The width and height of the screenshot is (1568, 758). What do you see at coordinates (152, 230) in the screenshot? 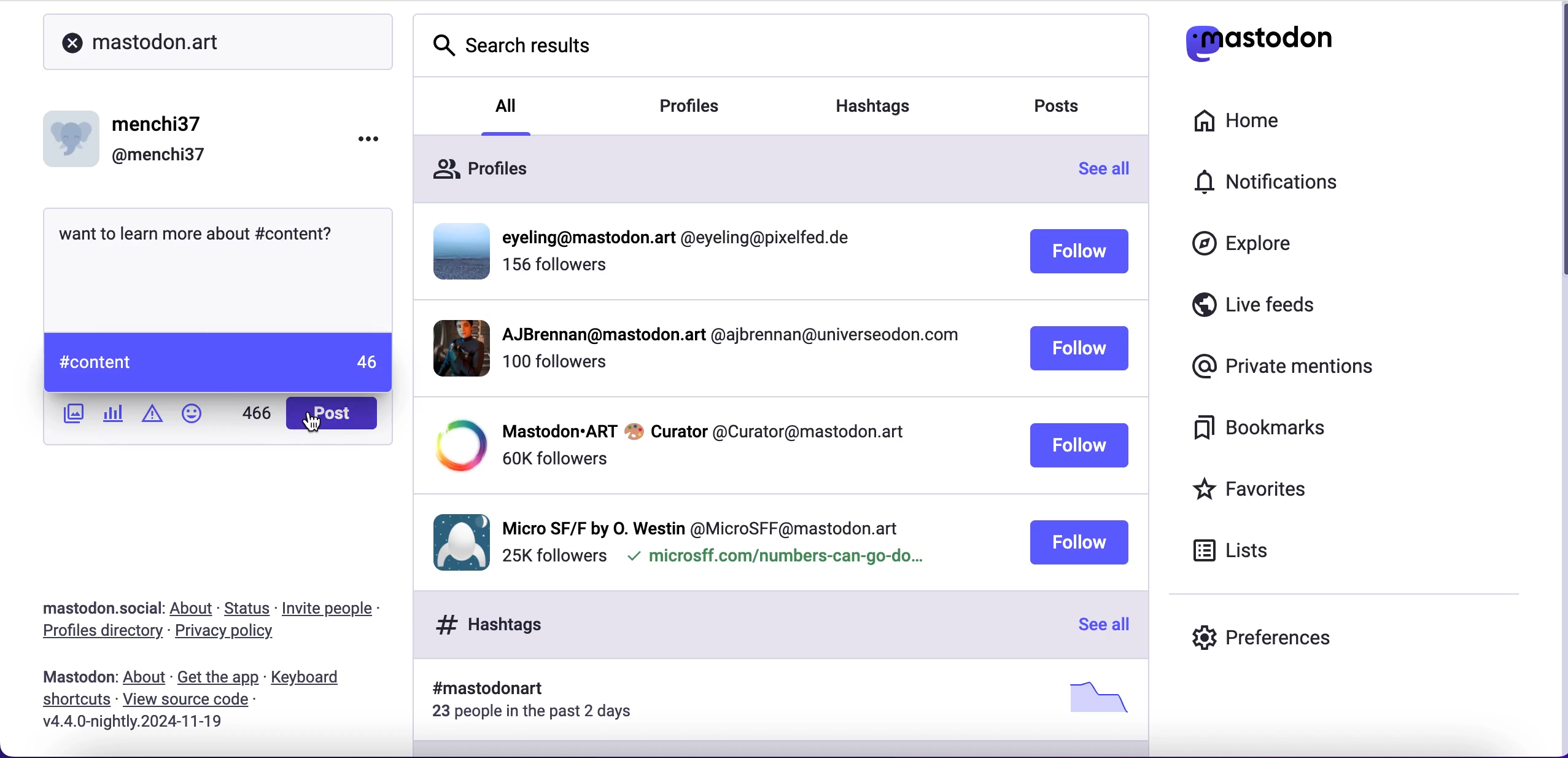
I see `text` at bounding box center [152, 230].